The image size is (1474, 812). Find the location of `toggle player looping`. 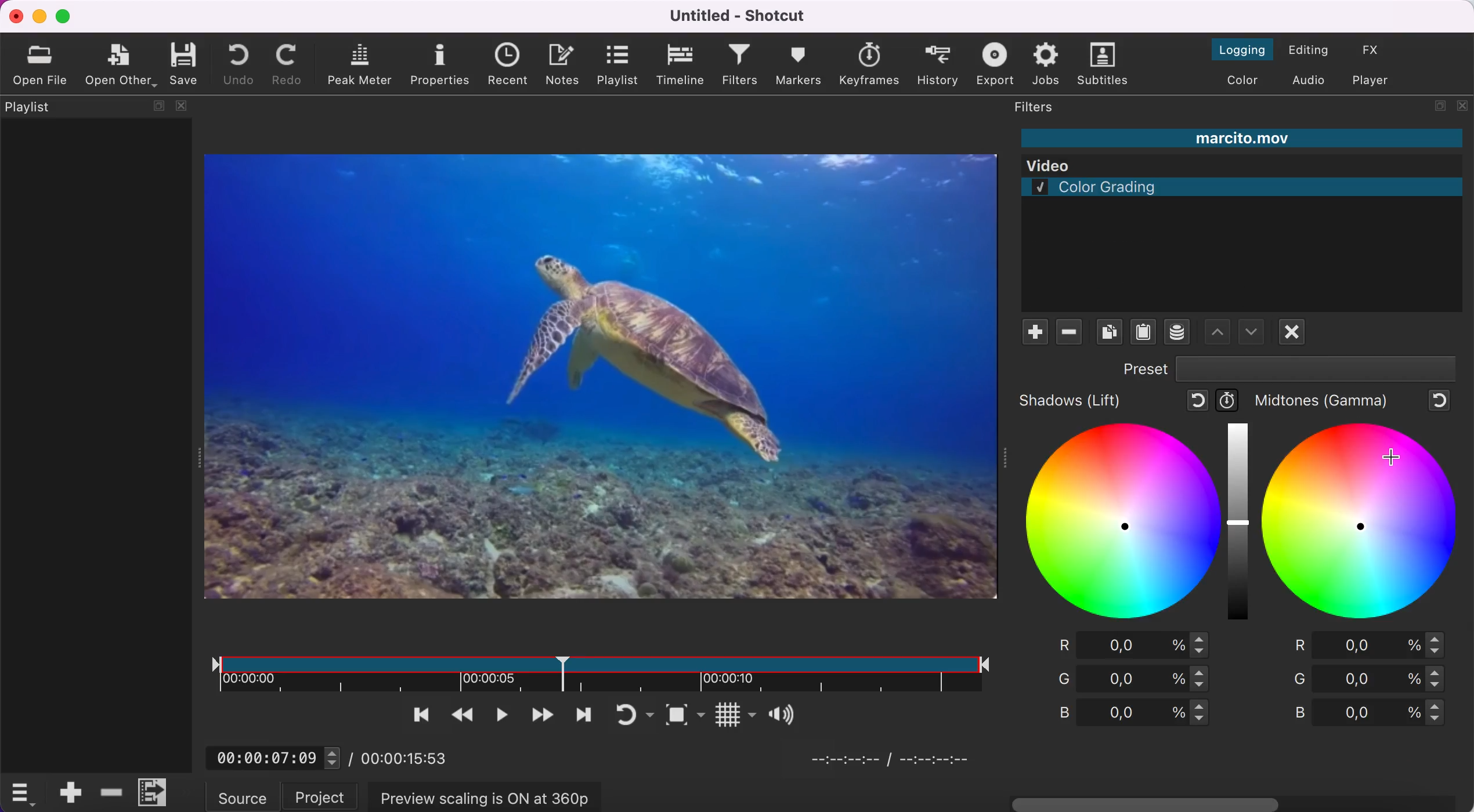

toggle player looping is located at coordinates (619, 713).